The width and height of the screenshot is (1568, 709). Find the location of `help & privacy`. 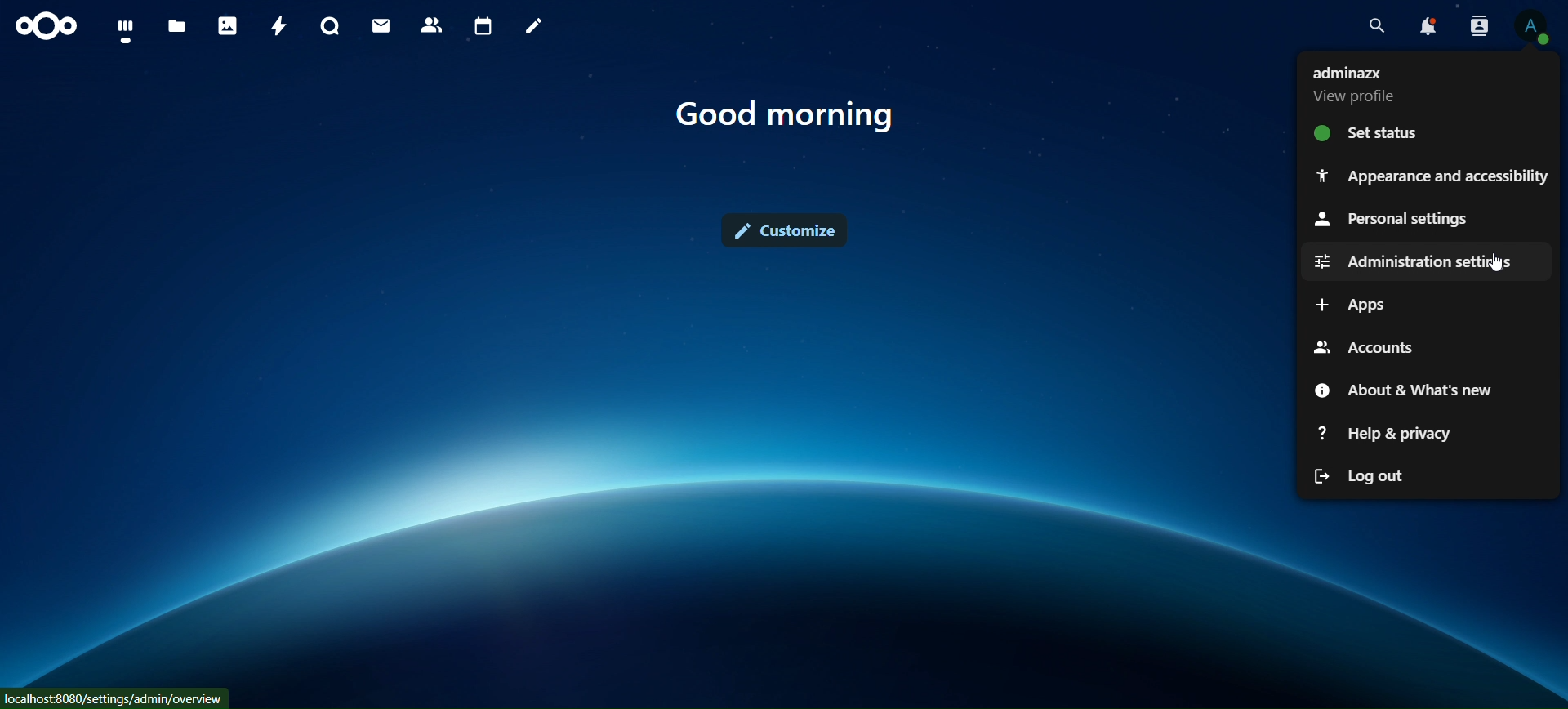

help & privacy is located at coordinates (1388, 435).